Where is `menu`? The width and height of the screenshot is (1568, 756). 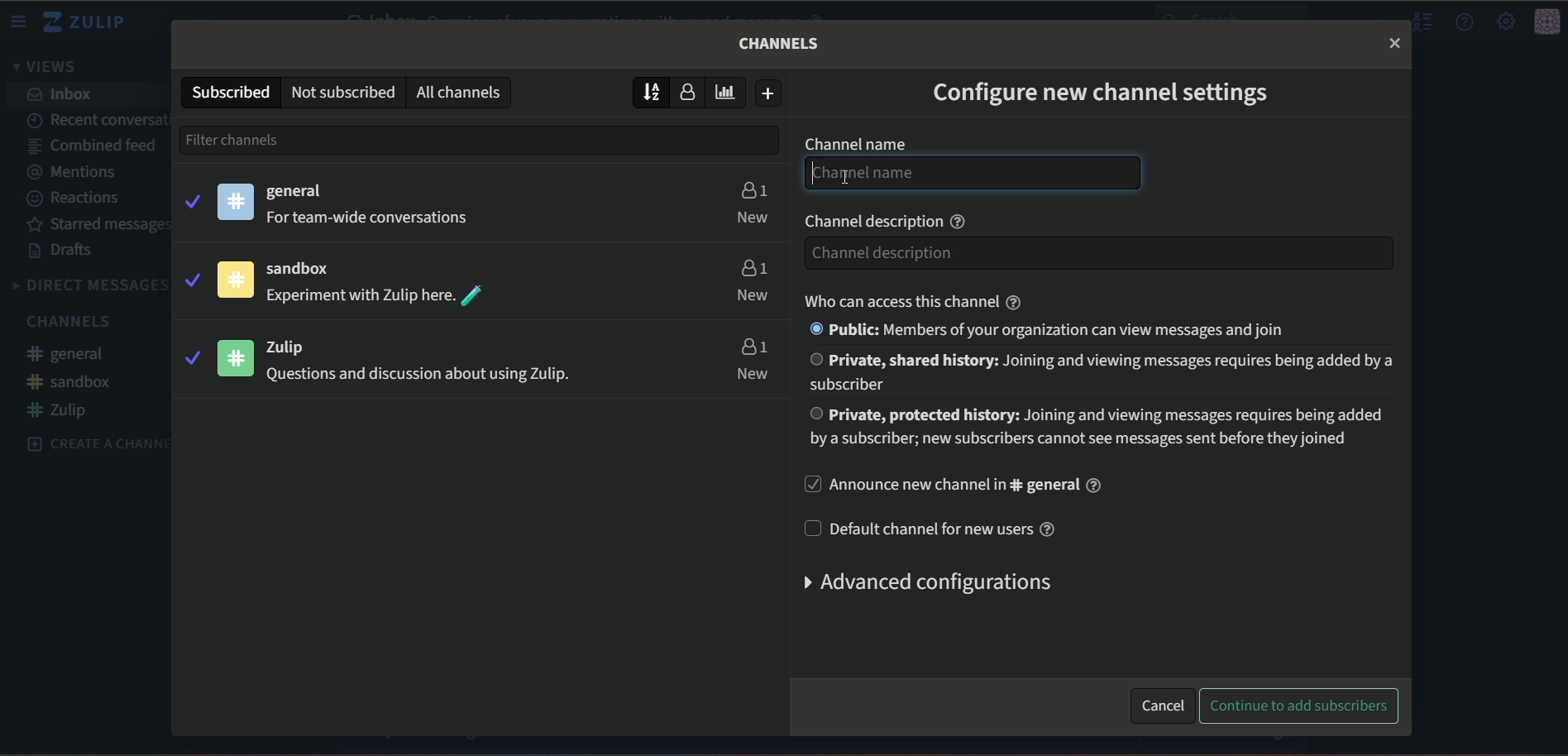
menu is located at coordinates (21, 22).